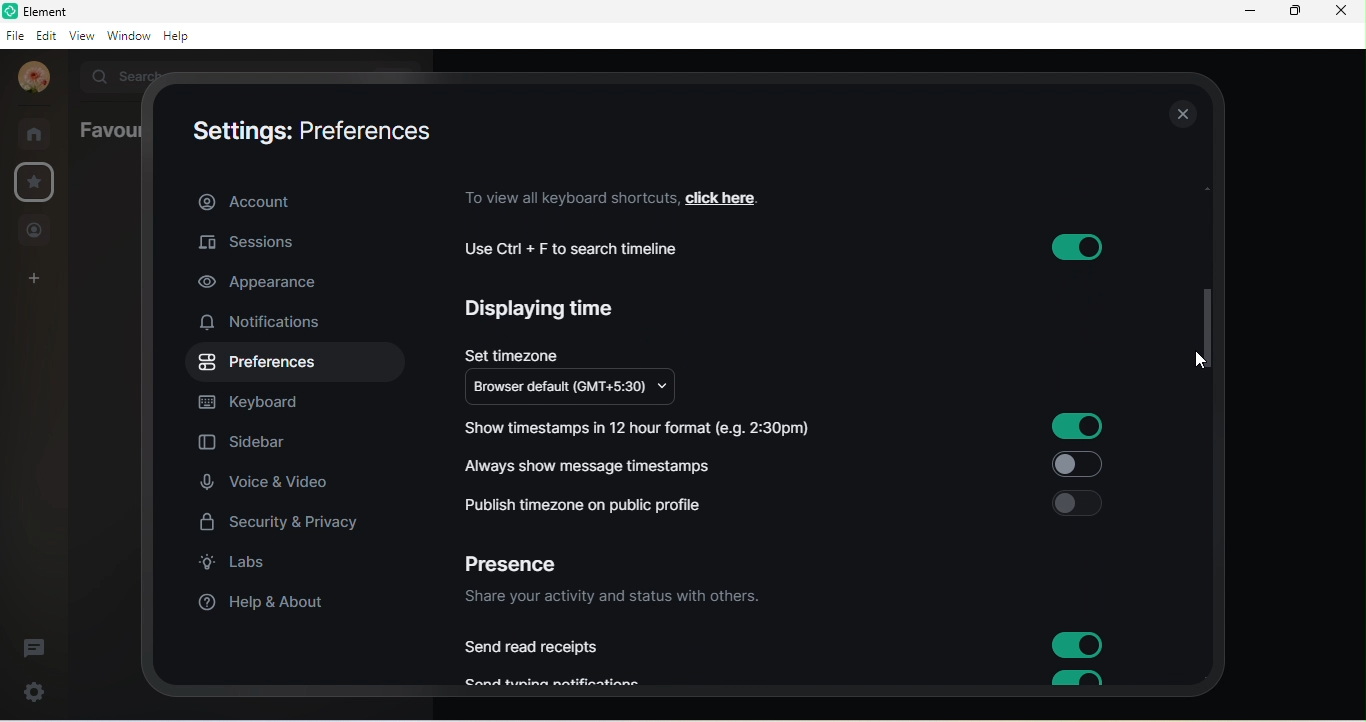 This screenshot has width=1366, height=722. Describe the element at coordinates (1078, 427) in the screenshot. I see `button` at that location.